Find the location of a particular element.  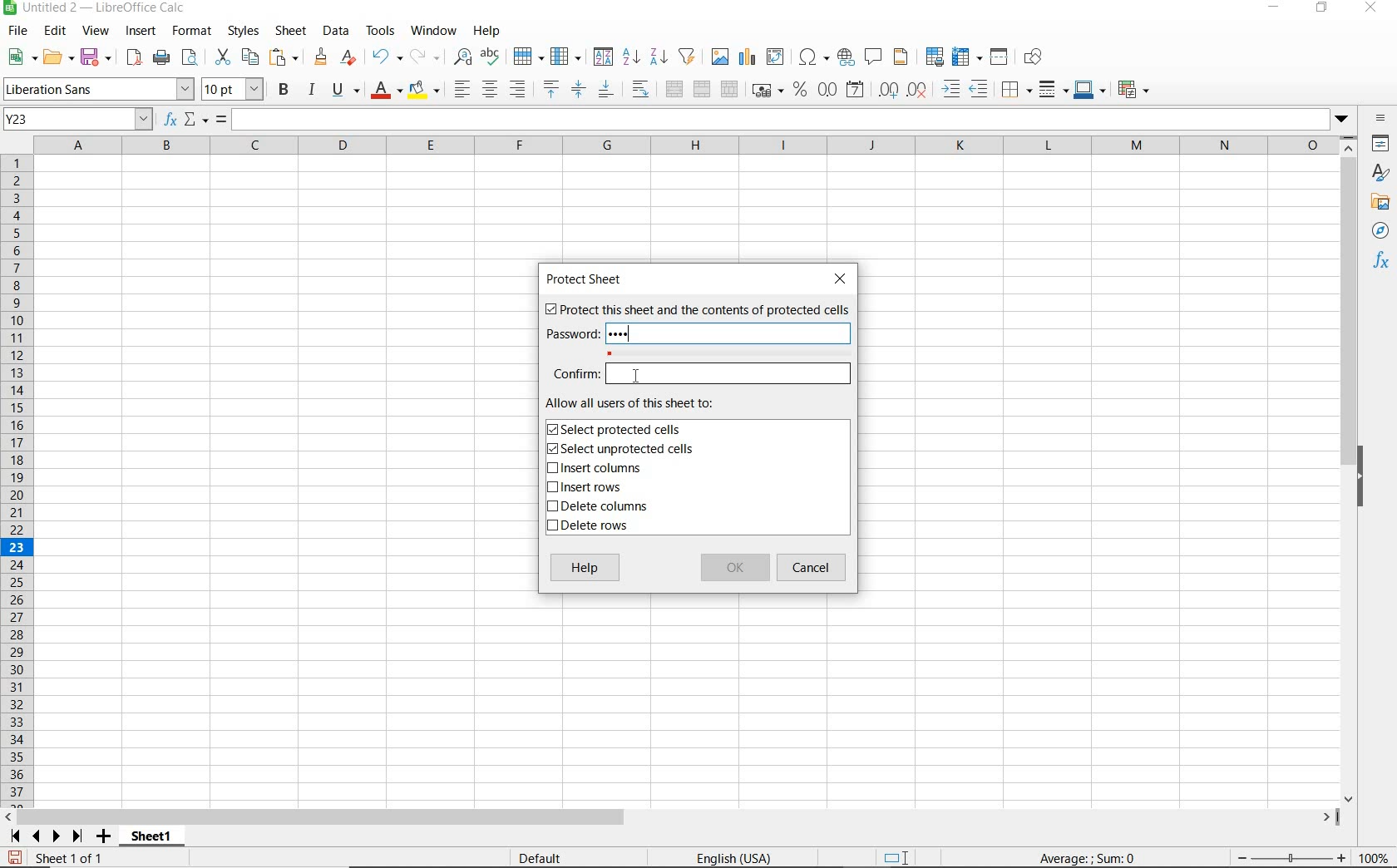

INSERT HYPERLINK is located at coordinates (846, 57).